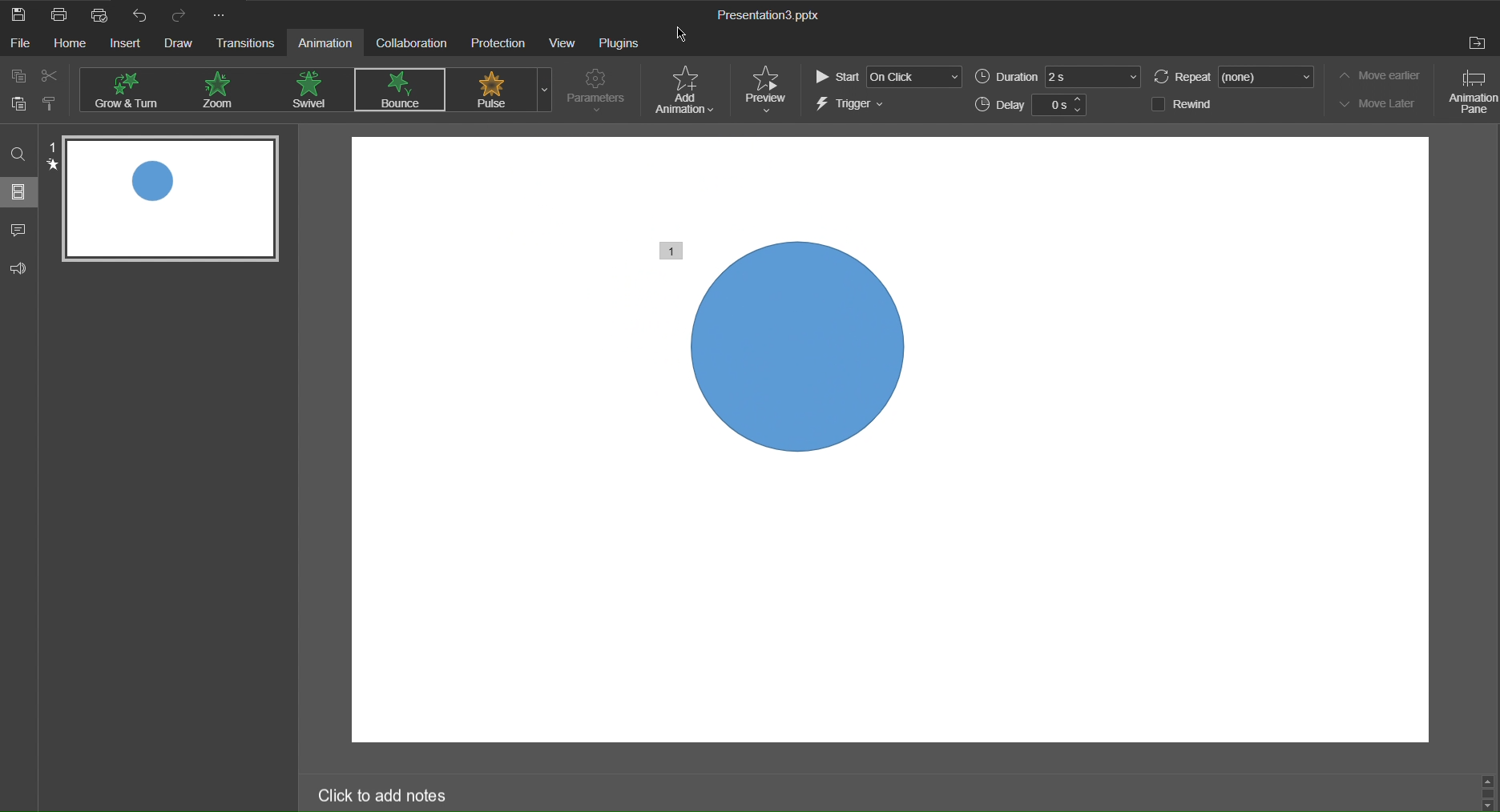  I want to click on Preview, so click(770, 88).